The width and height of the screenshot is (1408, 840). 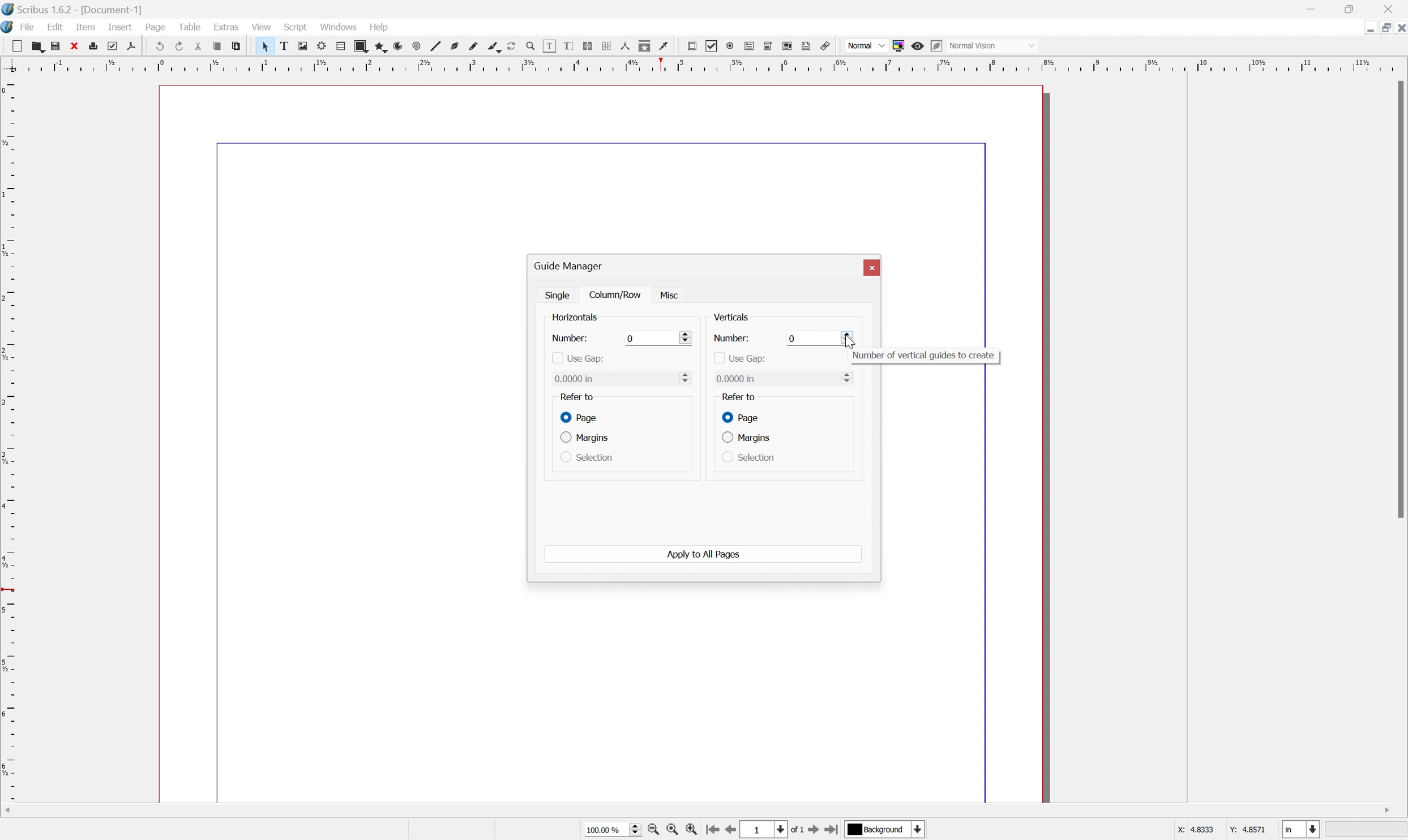 I want to click on help, so click(x=379, y=27).